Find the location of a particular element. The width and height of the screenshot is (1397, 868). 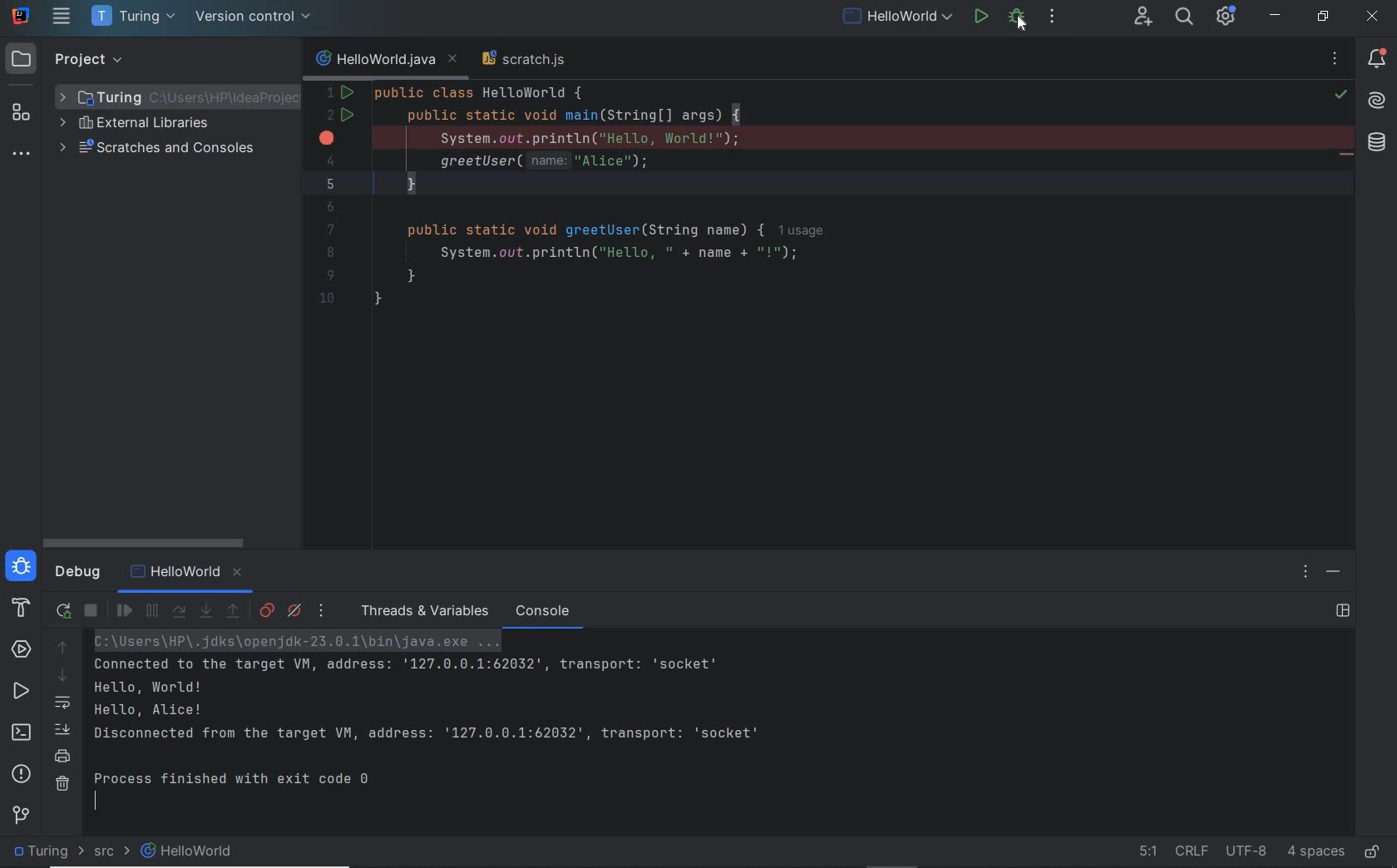

go to line is located at coordinates (1138, 851).